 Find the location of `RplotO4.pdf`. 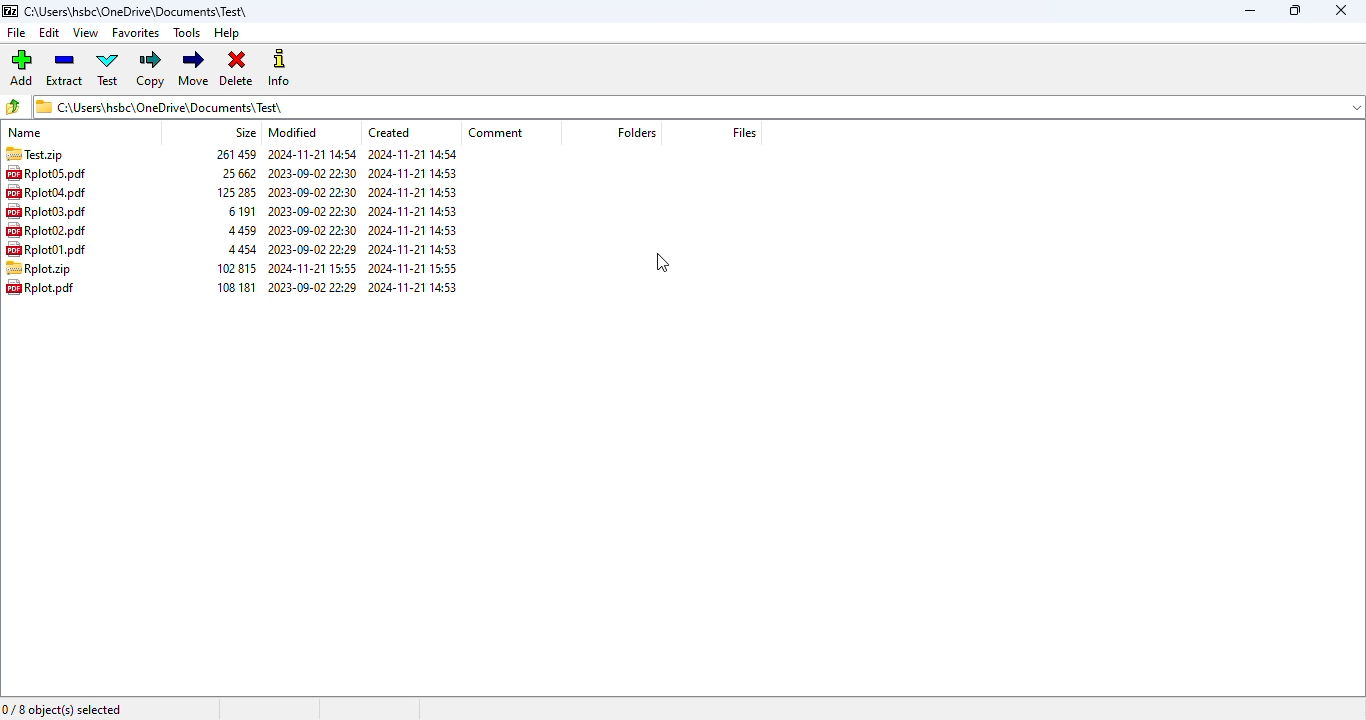

RplotO4.pdf is located at coordinates (51, 192).